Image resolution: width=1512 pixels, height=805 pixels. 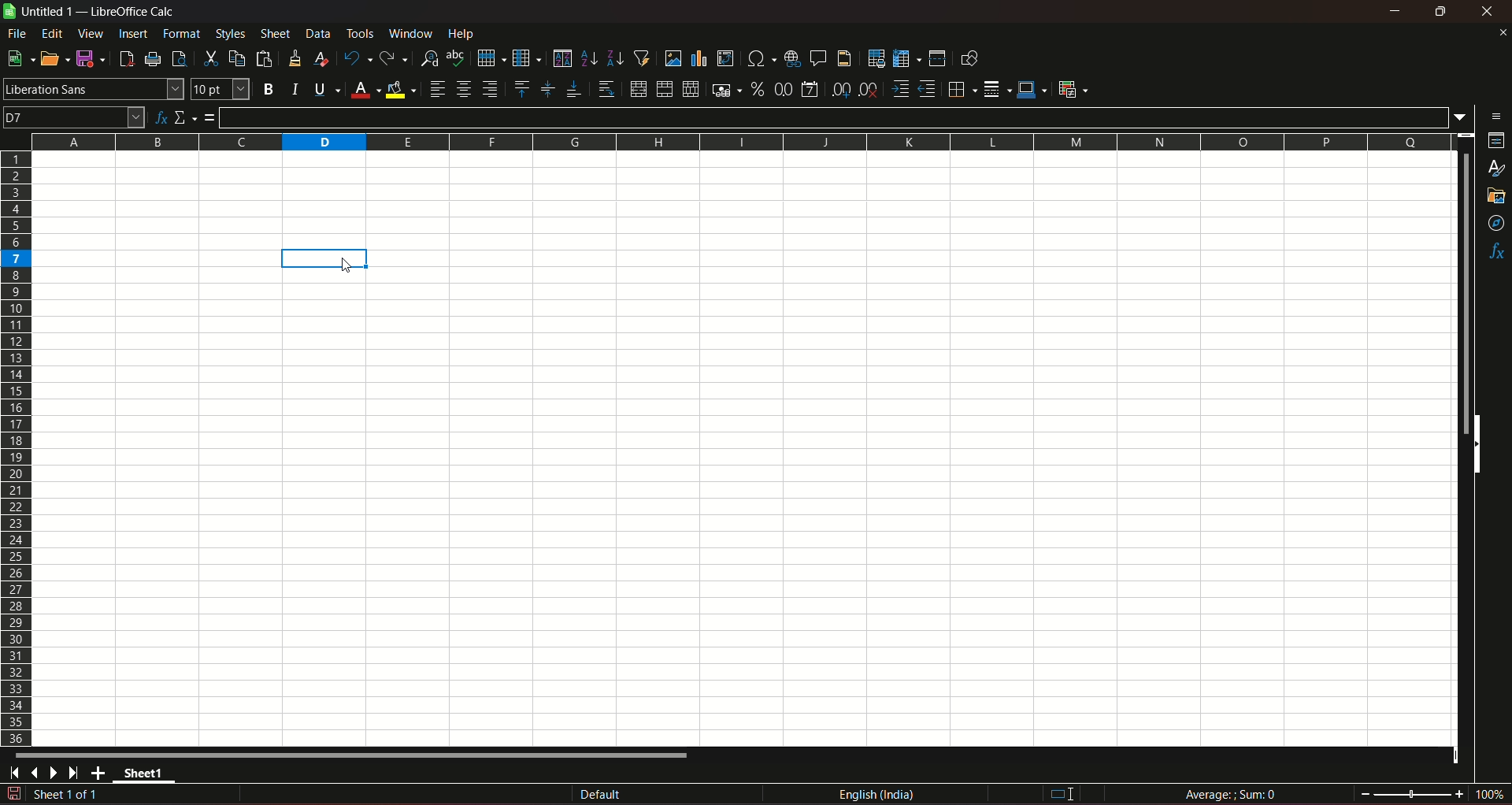 I want to click on rows, so click(x=17, y=447).